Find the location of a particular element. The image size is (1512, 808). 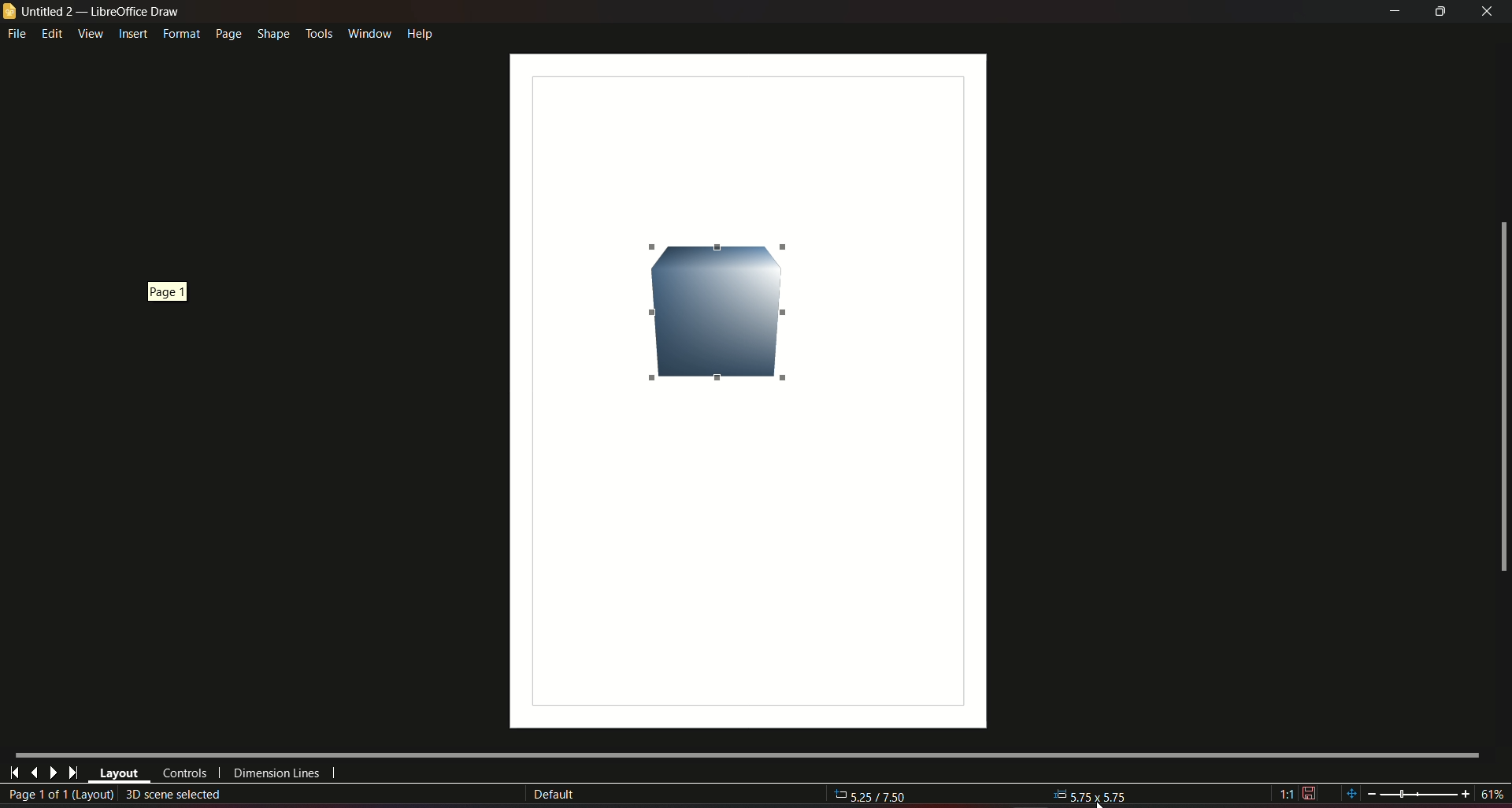

zoom is located at coordinates (1423, 794).